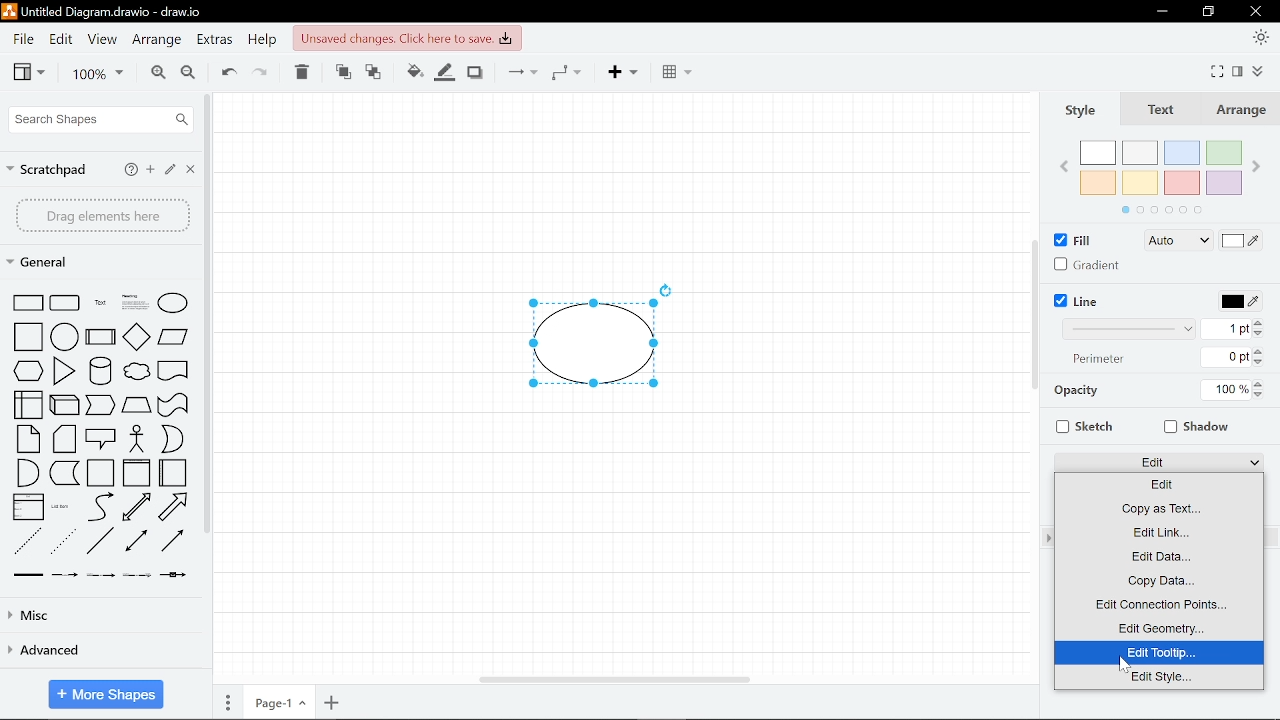 The width and height of the screenshot is (1280, 720). What do you see at coordinates (102, 615) in the screenshot?
I see `Misc shapes` at bounding box center [102, 615].